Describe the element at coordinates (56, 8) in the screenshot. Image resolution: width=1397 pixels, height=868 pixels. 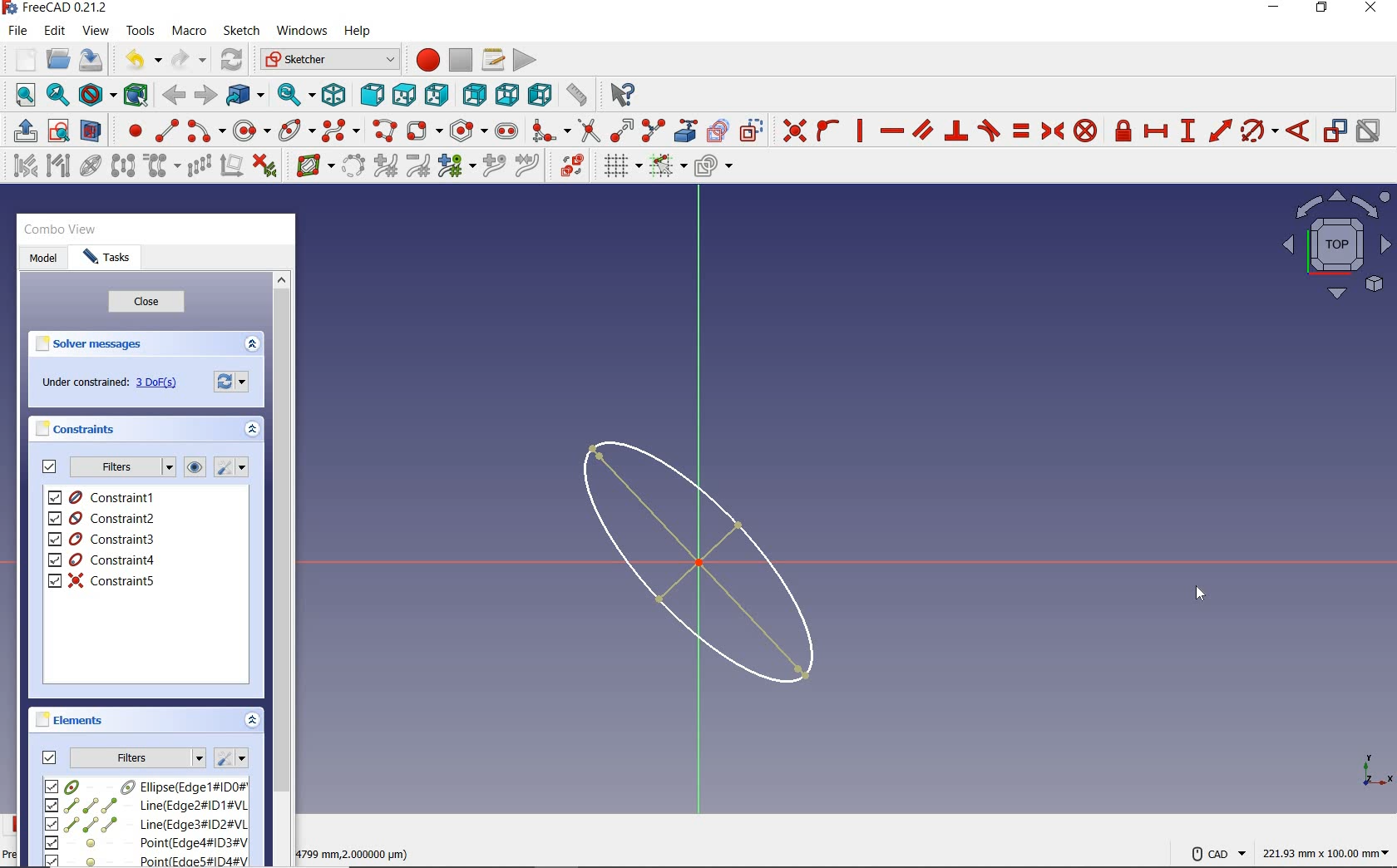
I see `system name` at that location.